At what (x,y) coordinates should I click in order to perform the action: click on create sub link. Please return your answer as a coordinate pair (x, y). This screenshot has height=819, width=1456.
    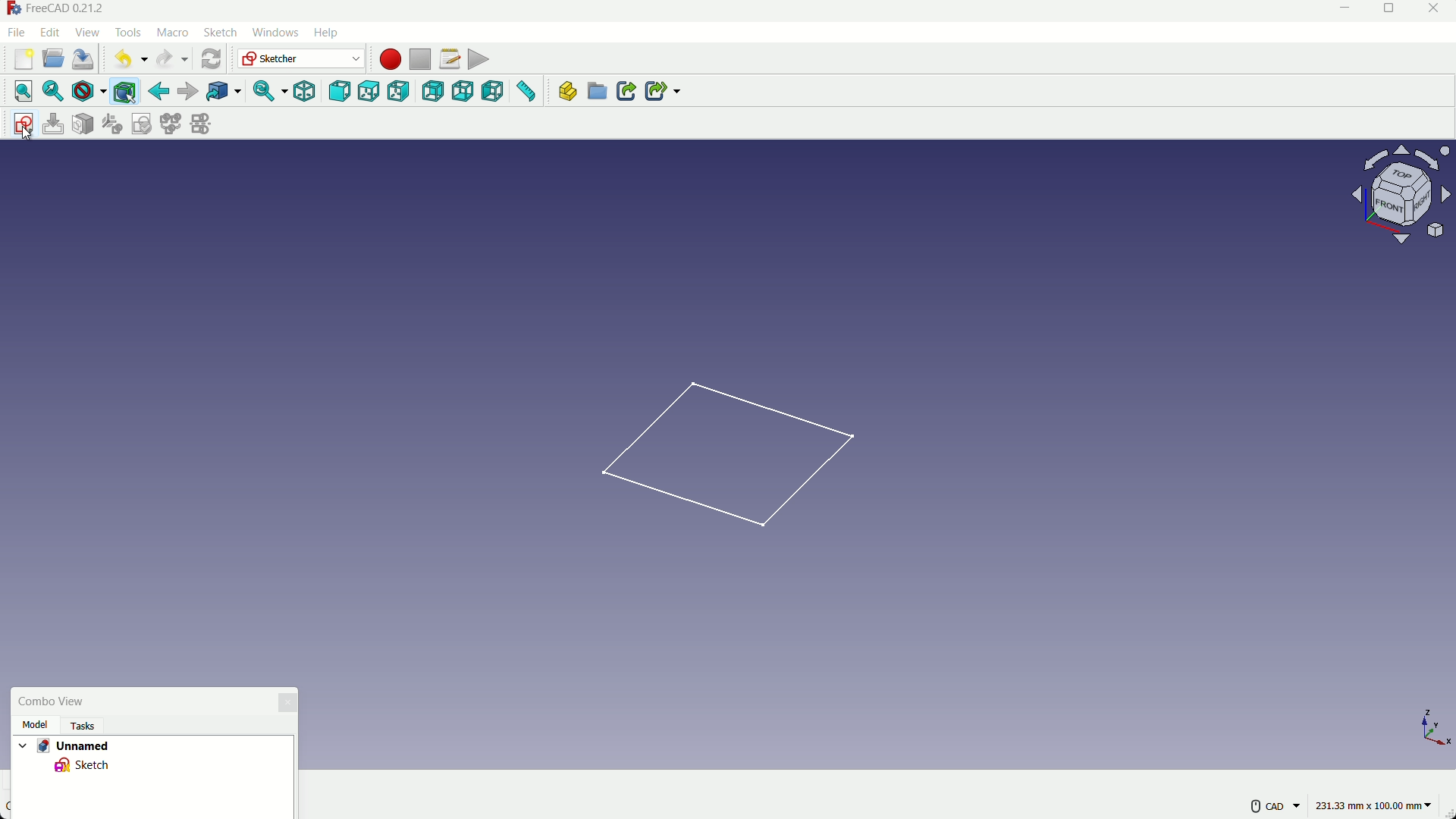
    Looking at the image, I should click on (662, 91).